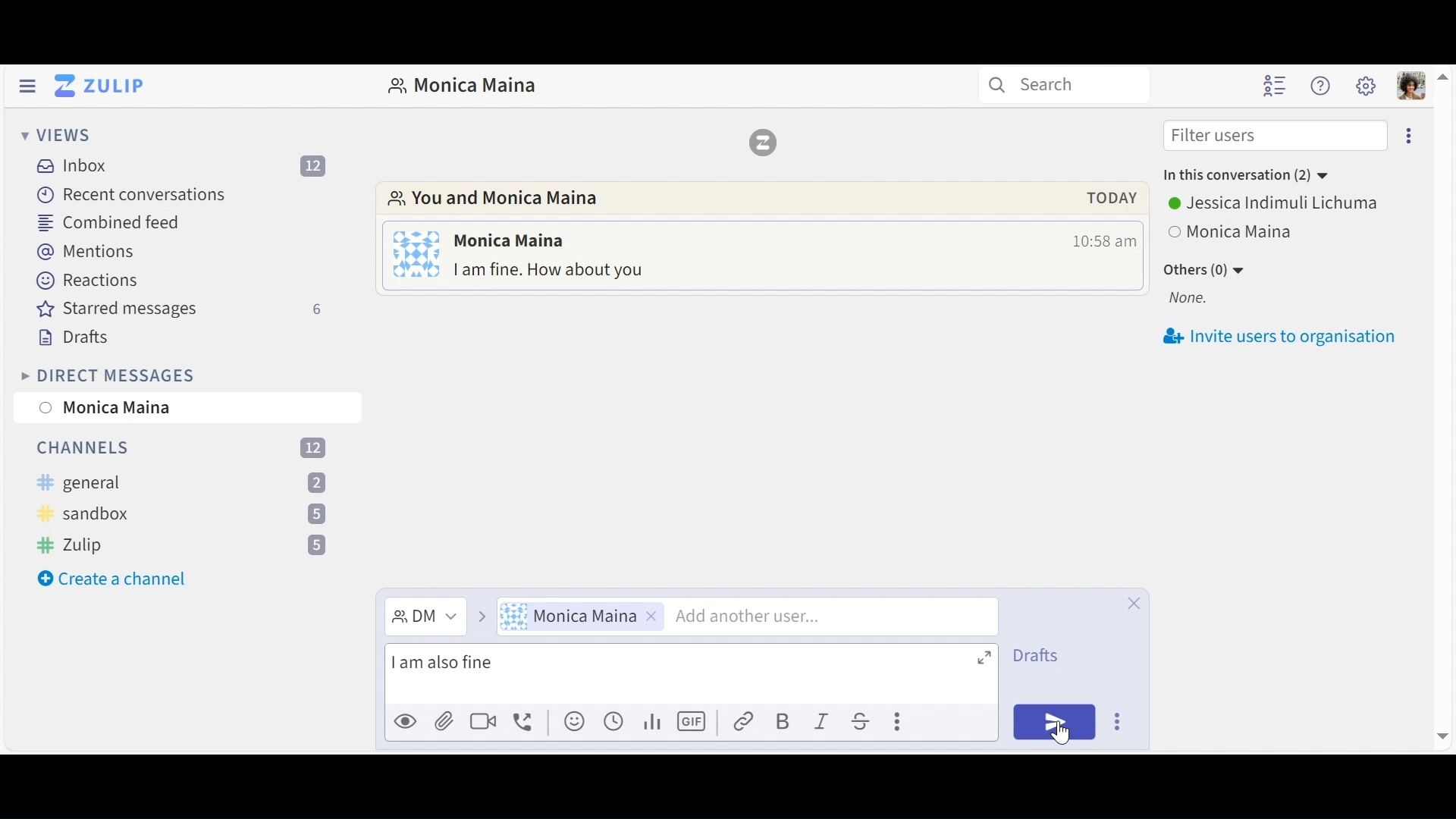 This screenshot has height=819, width=1456. Describe the element at coordinates (110, 375) in the screenshot. I see `Direct Messages` at that location.